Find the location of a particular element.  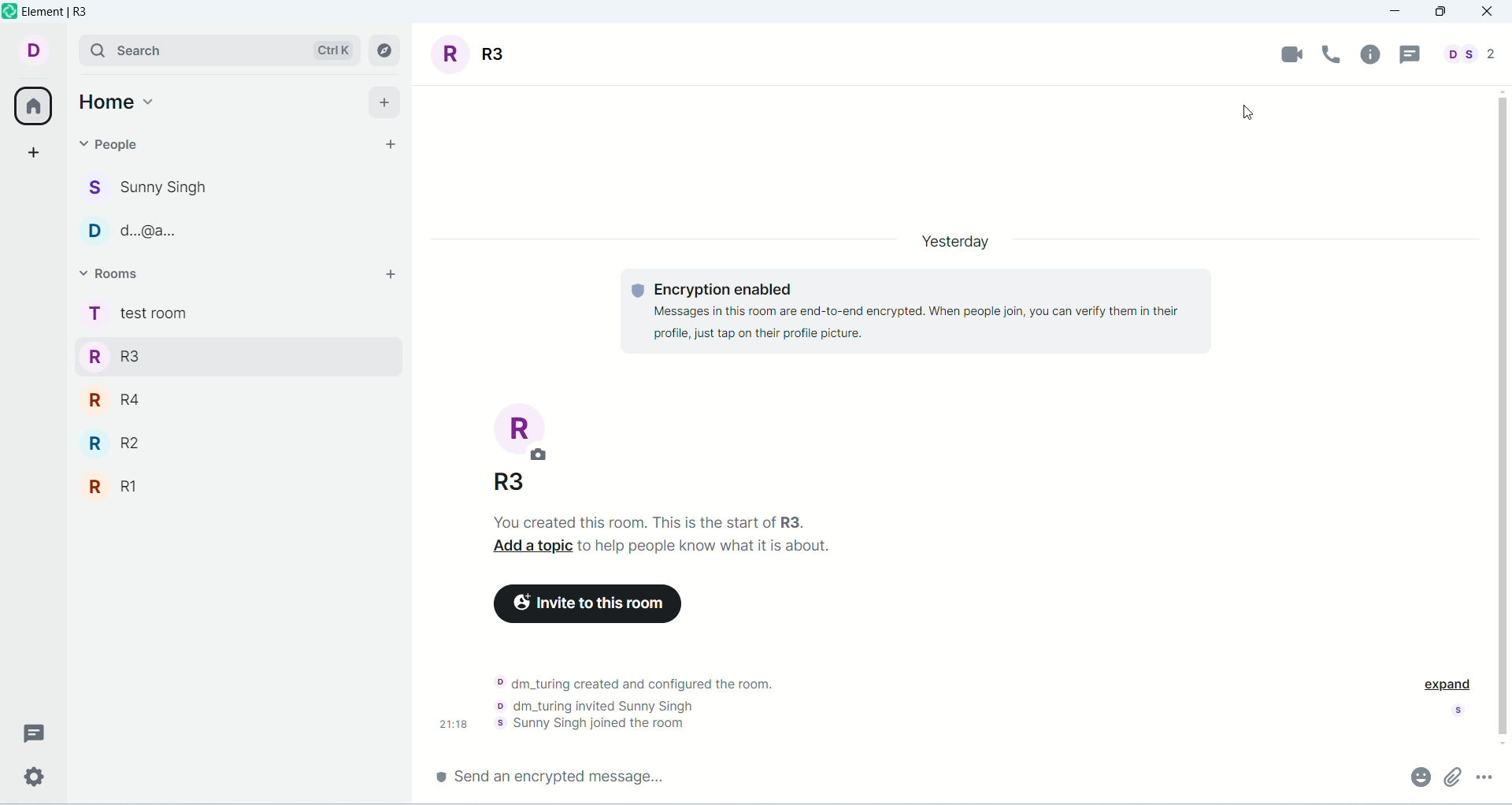

R2 is located at coordinates (212, 443).